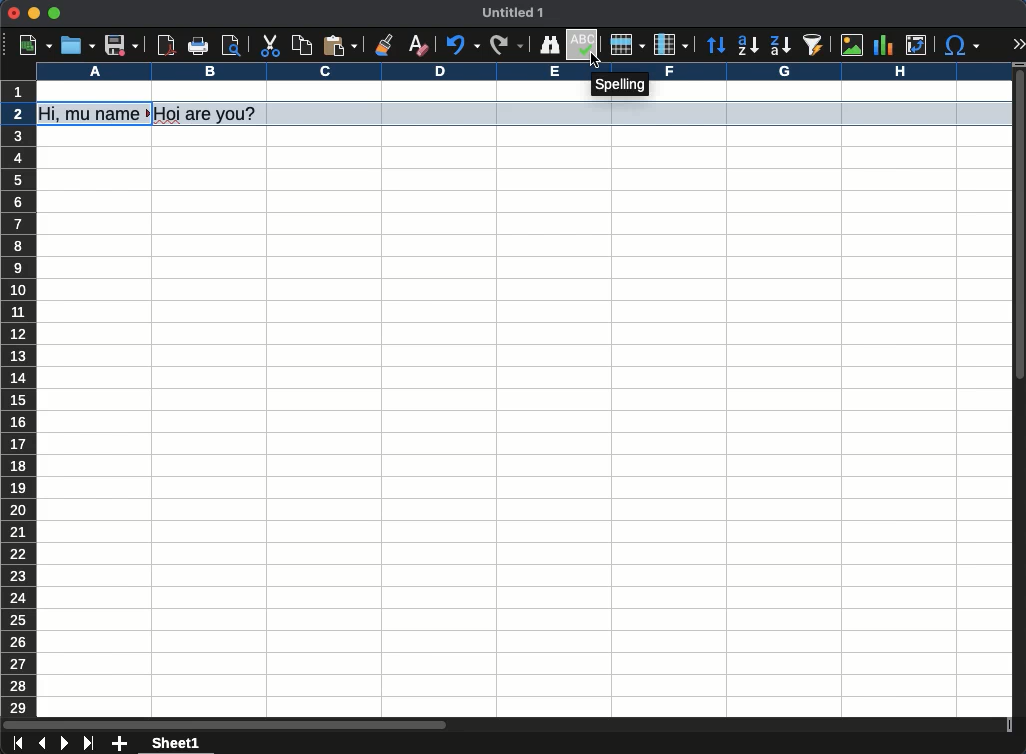  I want to click on sort, so click(814, 45).